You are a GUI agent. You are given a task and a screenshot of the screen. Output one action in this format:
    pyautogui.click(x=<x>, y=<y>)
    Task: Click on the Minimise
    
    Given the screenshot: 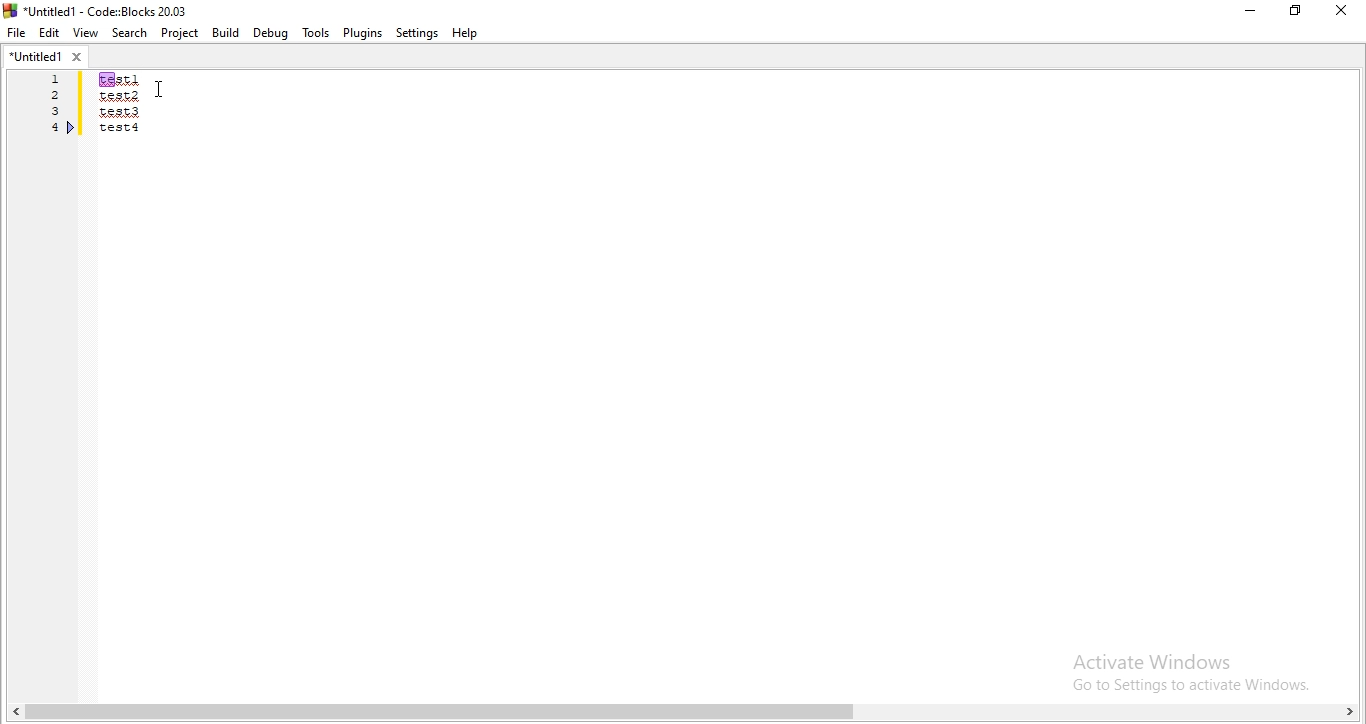 What is the action you would take?
    pyautogui.click(x=1248, y=14)
    